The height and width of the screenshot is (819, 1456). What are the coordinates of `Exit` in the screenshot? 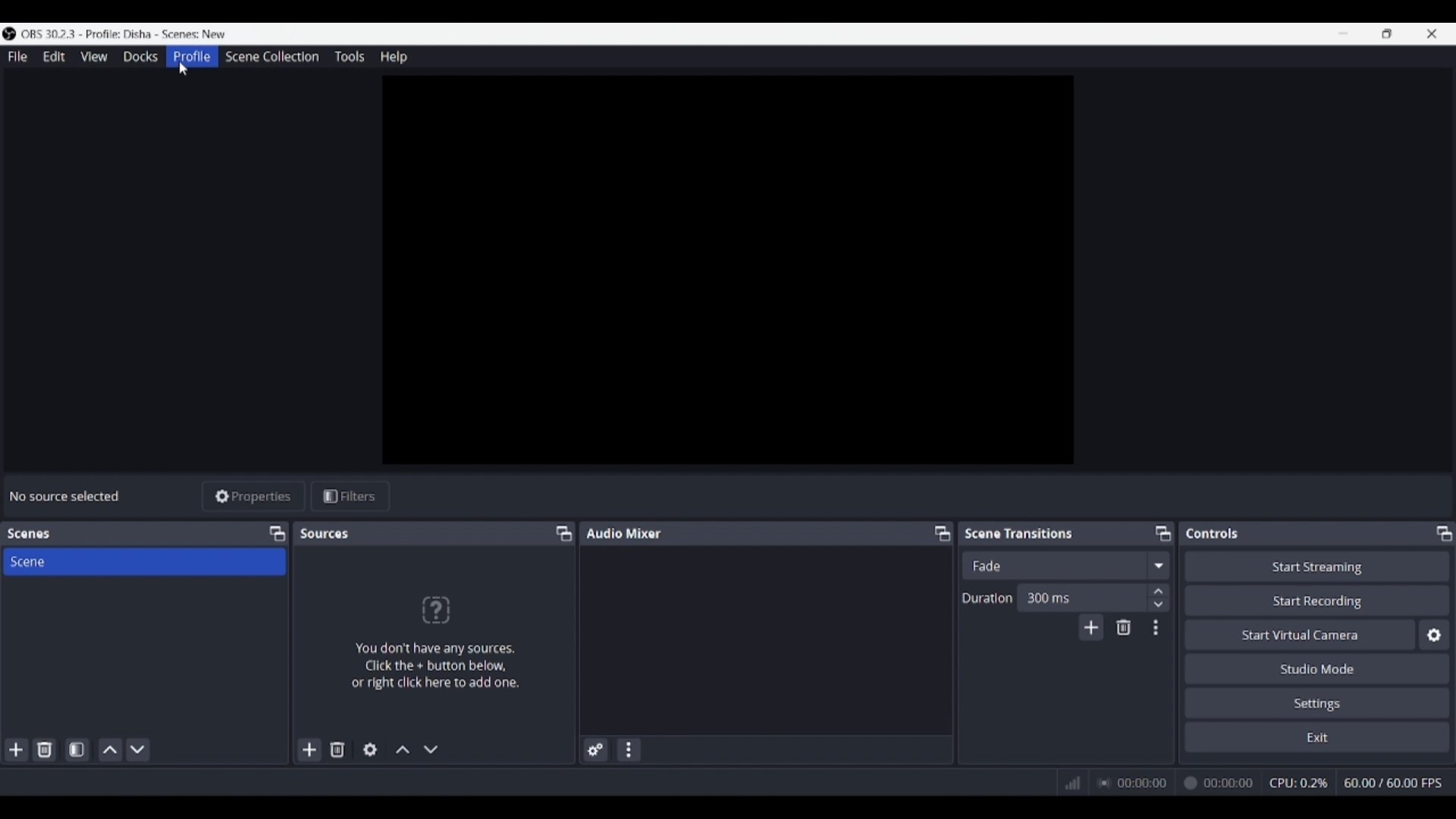 It's located at (1317, 736).